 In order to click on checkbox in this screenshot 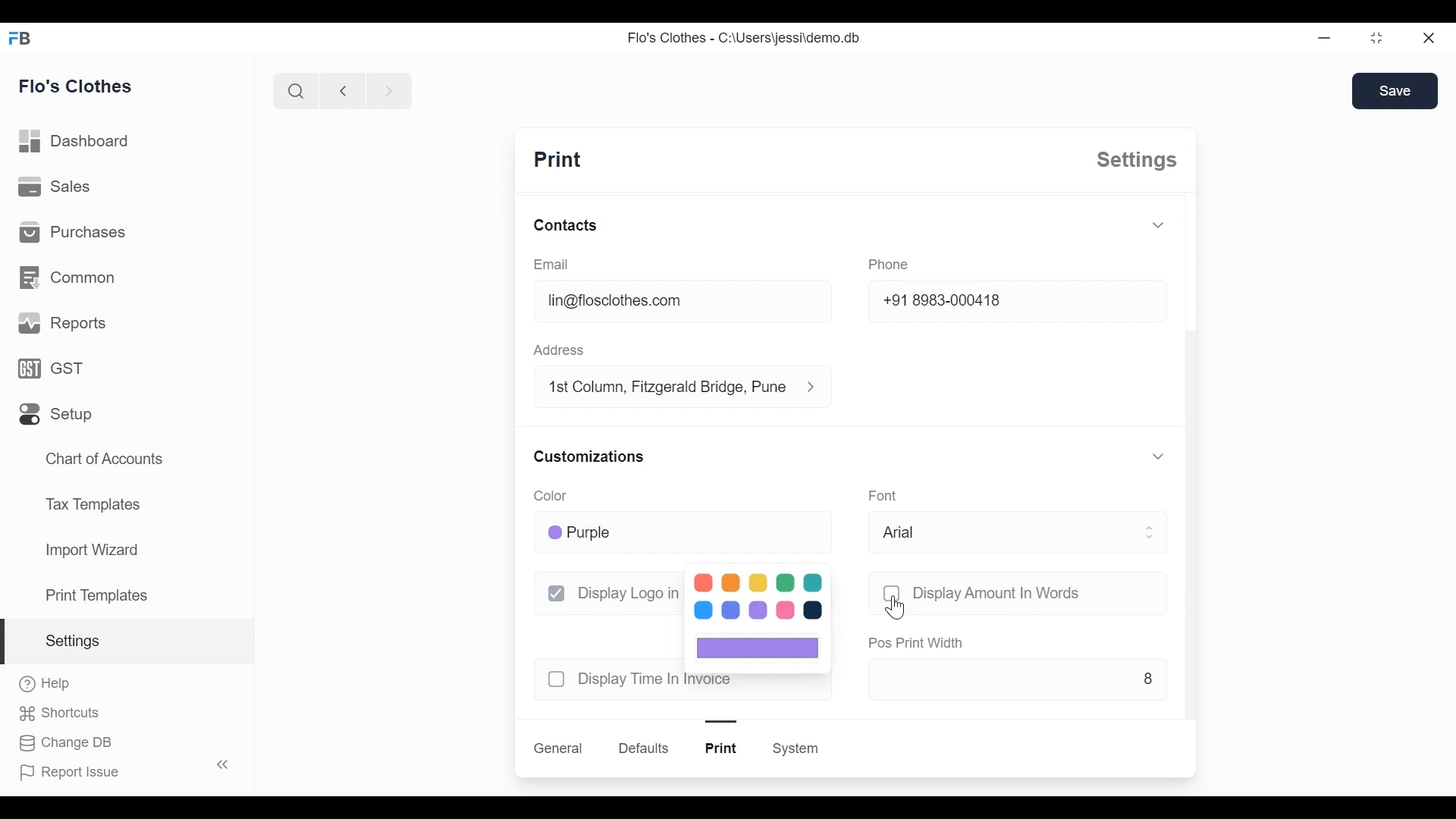, I will do `click(891, 593)`.